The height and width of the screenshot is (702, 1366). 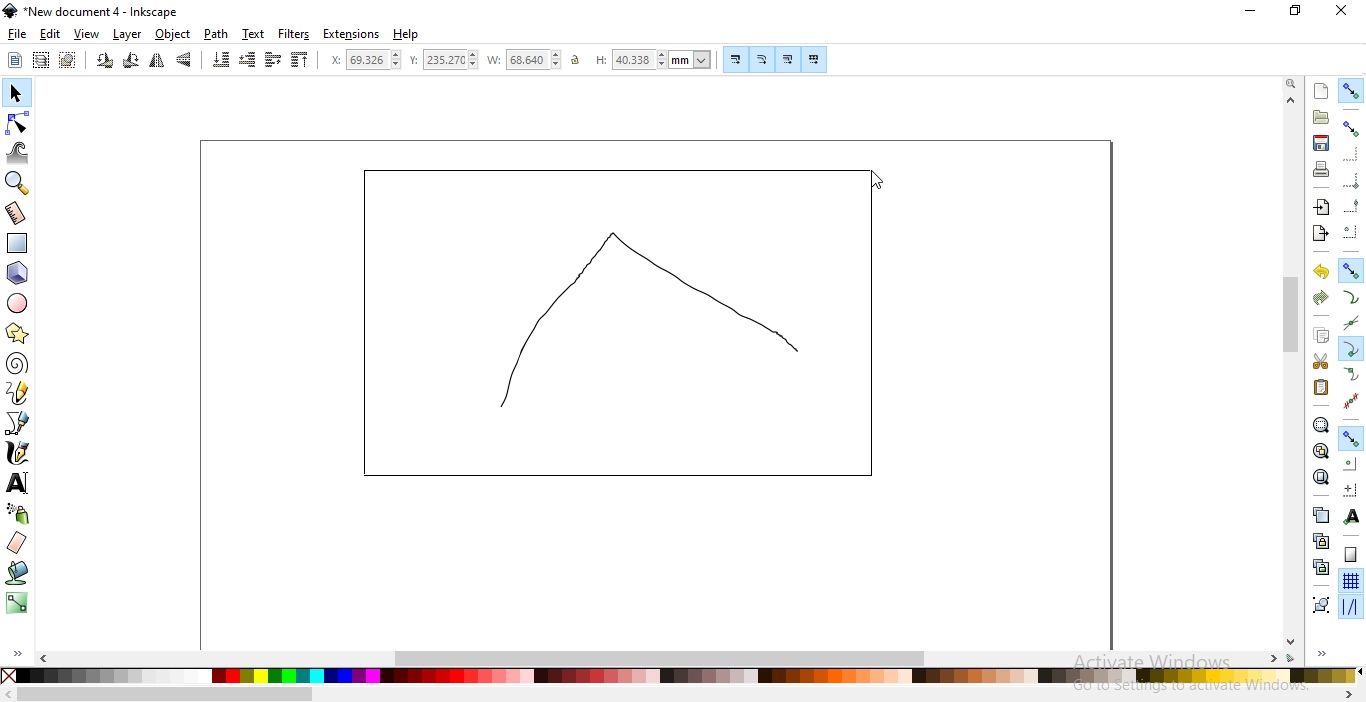 What do you see at coordinates (1351, 554) in the screenshot?
I see `` at bounding box center [1351, 554].